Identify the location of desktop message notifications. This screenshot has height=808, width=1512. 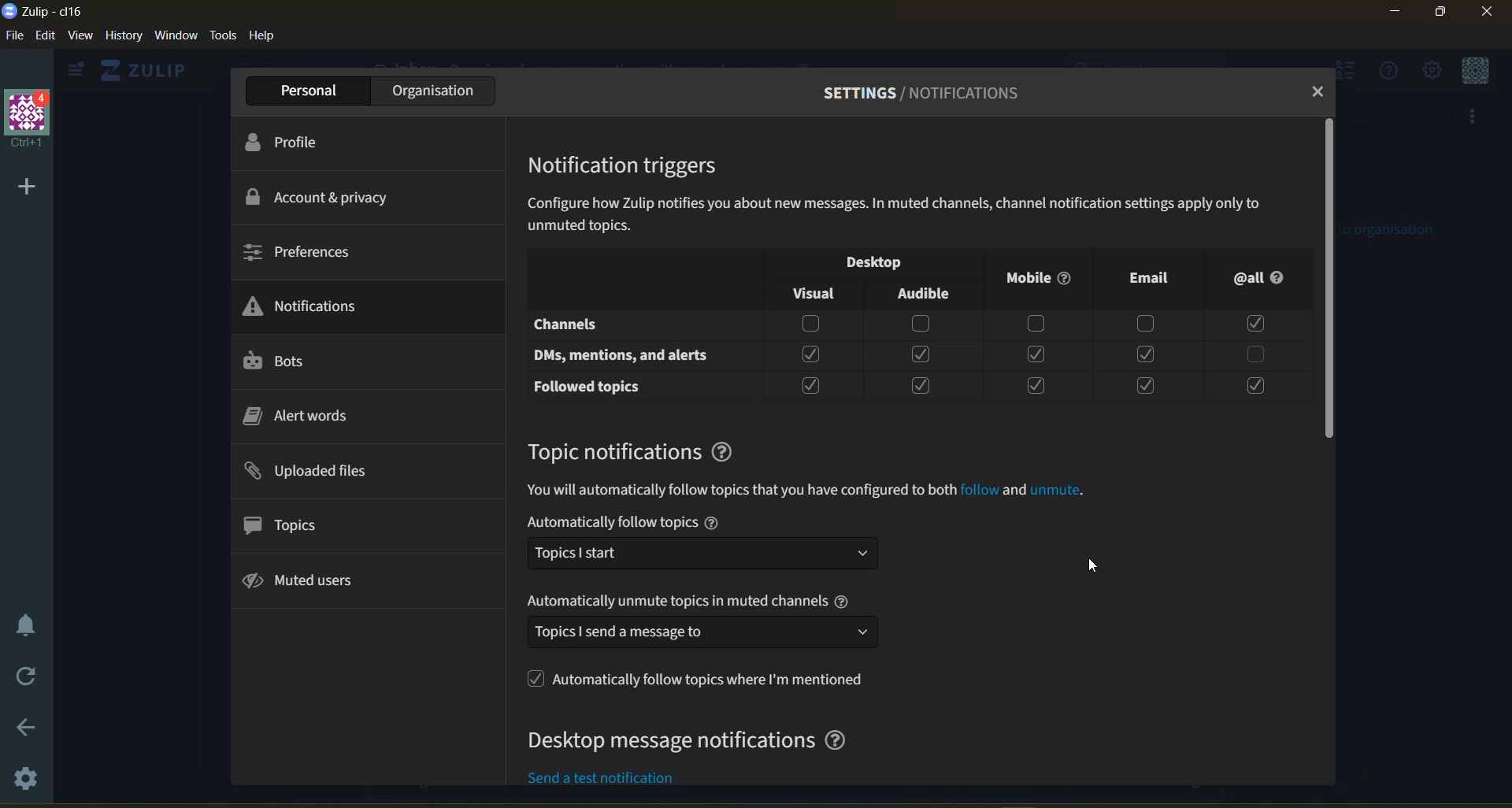
(691, 744).